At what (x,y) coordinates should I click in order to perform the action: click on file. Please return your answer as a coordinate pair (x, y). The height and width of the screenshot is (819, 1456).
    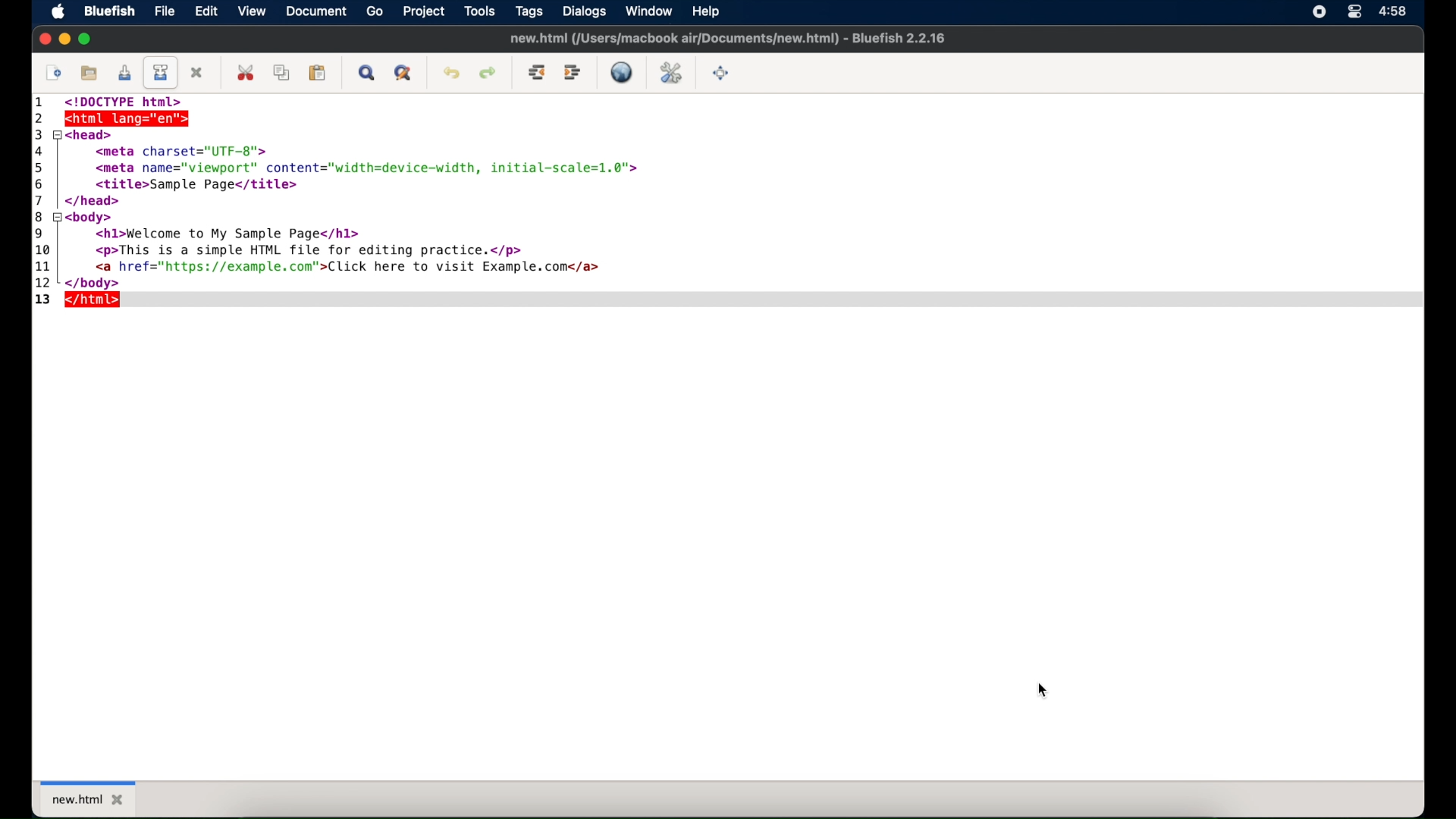
    Looking at the image, I should click on (165, 11).